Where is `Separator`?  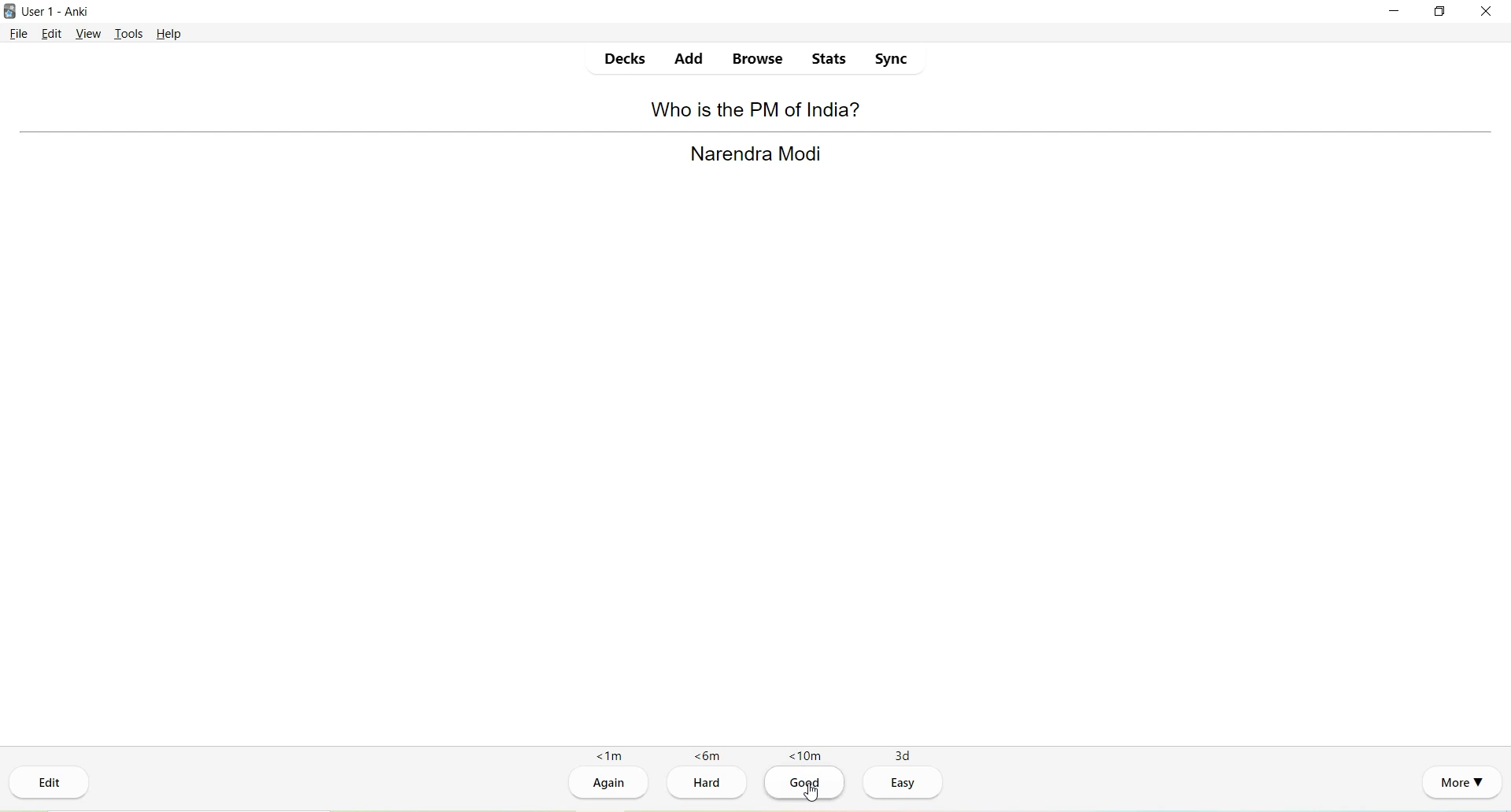 Separator is located at coordinates (757, 131).